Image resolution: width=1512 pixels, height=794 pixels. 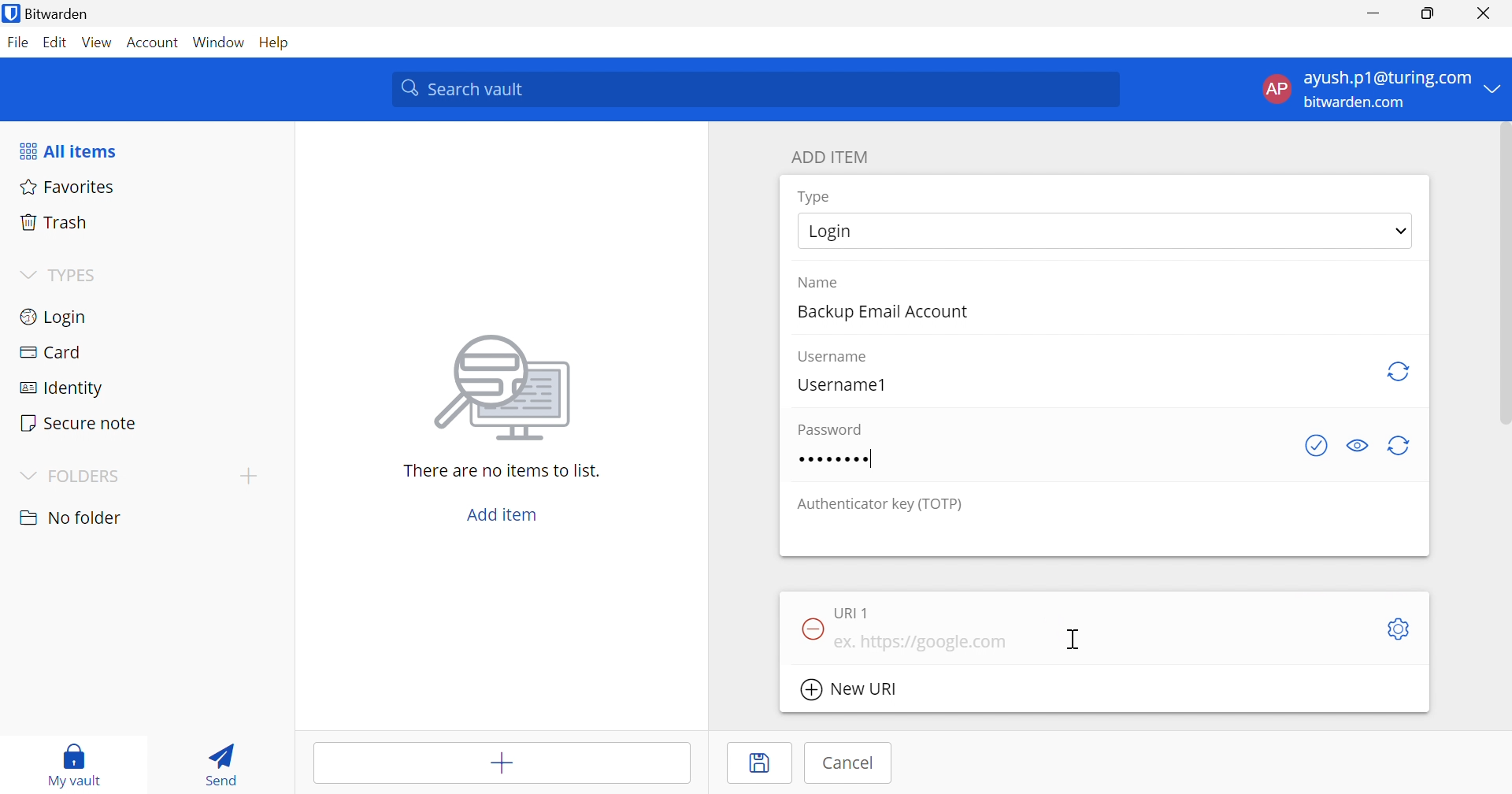 I want to click on URL 1, so click(x=853, y=613).